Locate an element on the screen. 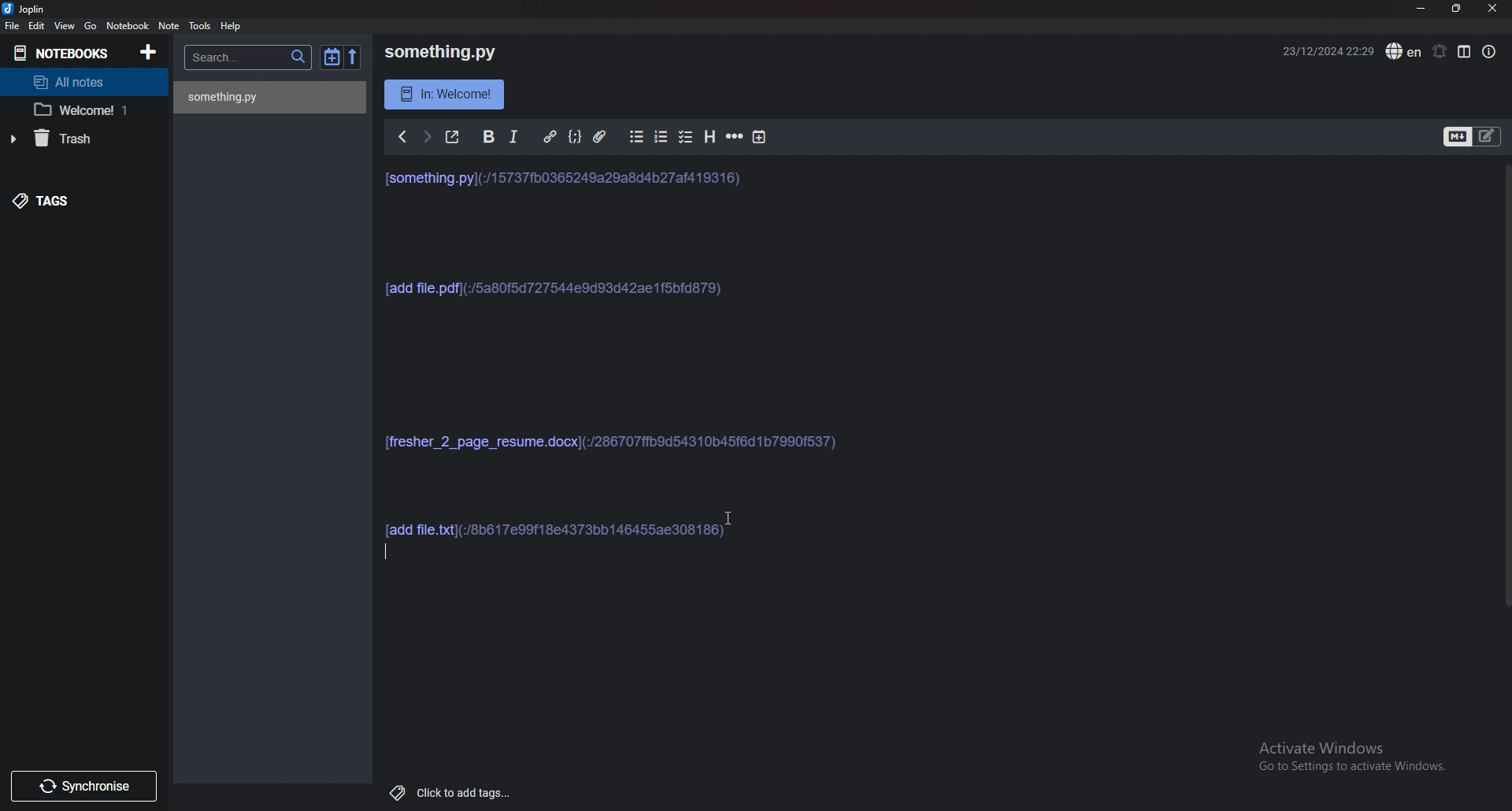  Tools is located at coordinates (202, 25).